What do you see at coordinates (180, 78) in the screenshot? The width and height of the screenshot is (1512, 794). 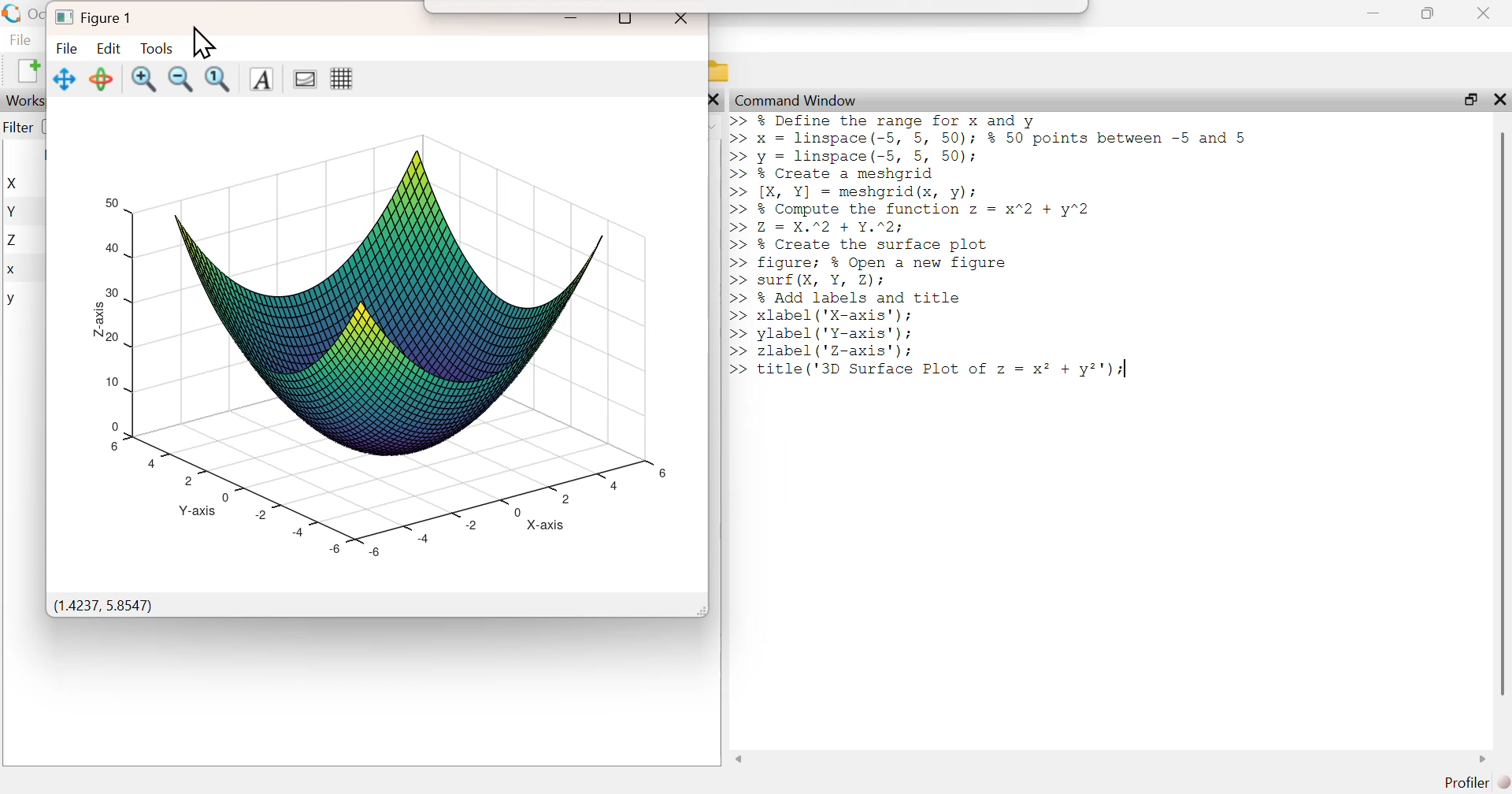 I see `zoom out` at bounding box center [180, 78].